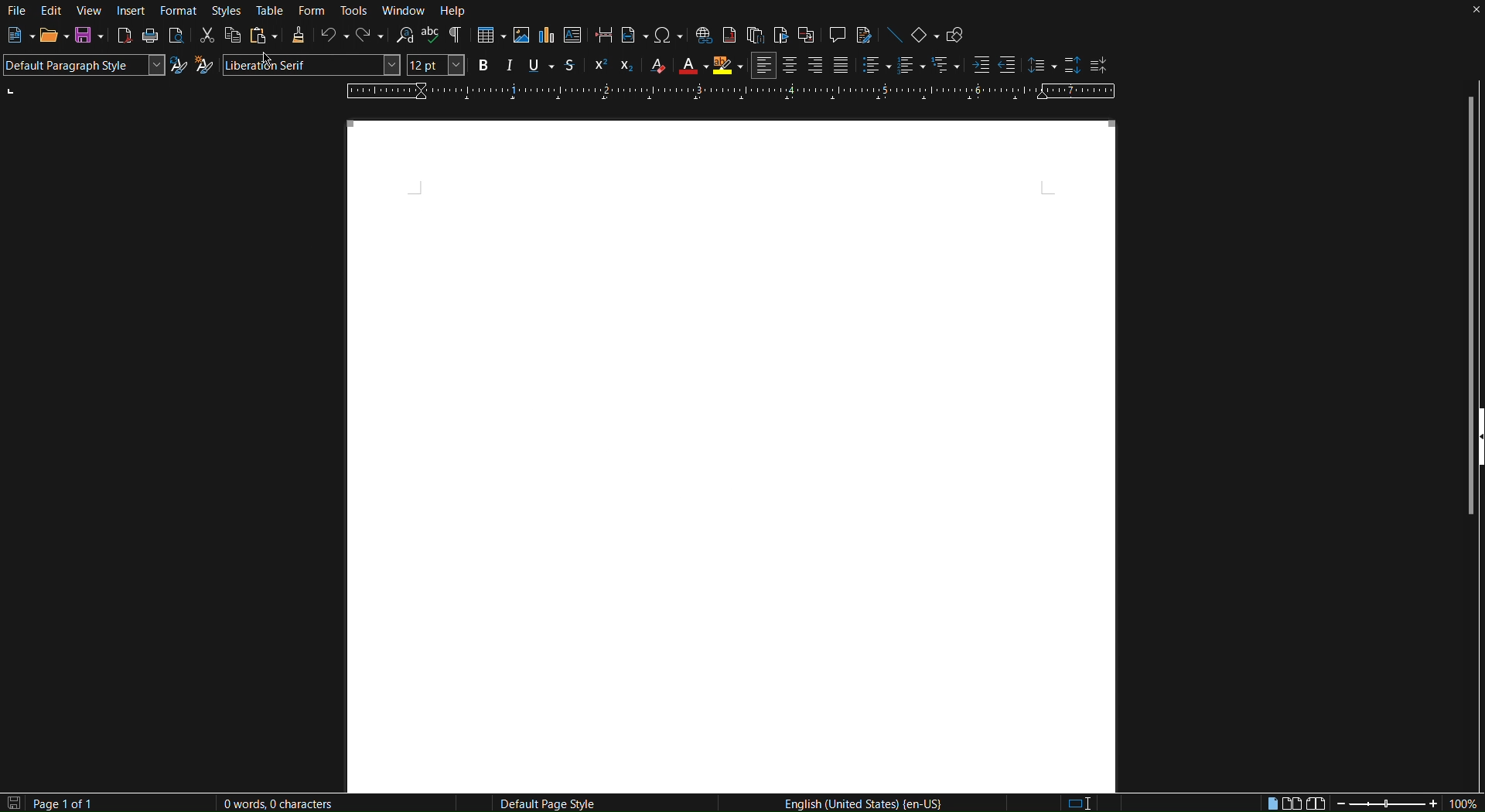 The image size is (1485, 812). What do you see at coordinates (435, 65) in the screenshot?
I see `Font size - 12pt` at bounding box center [435, 65].